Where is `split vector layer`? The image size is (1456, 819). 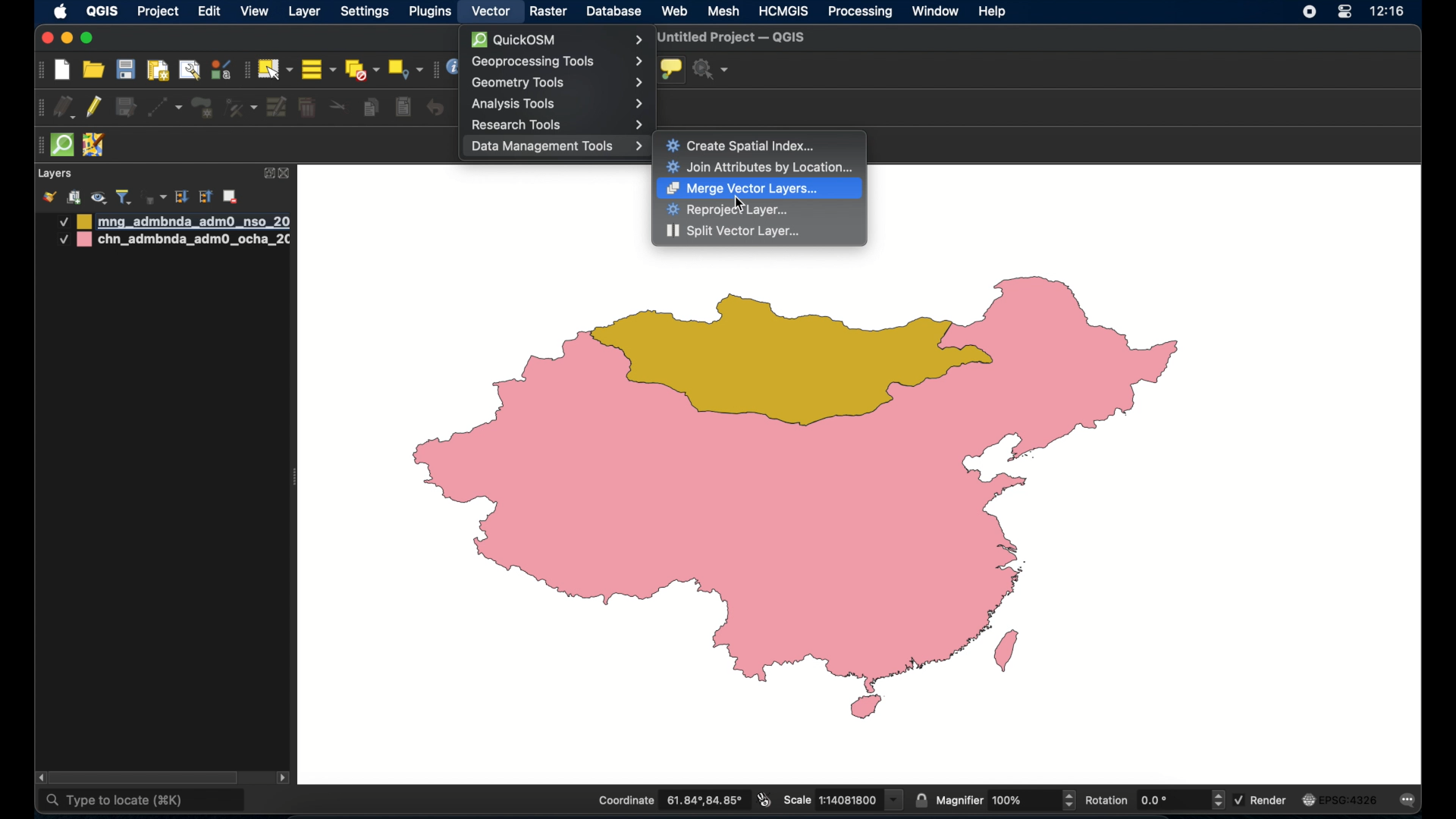
split vector layer is located at coordinates (734, 232).